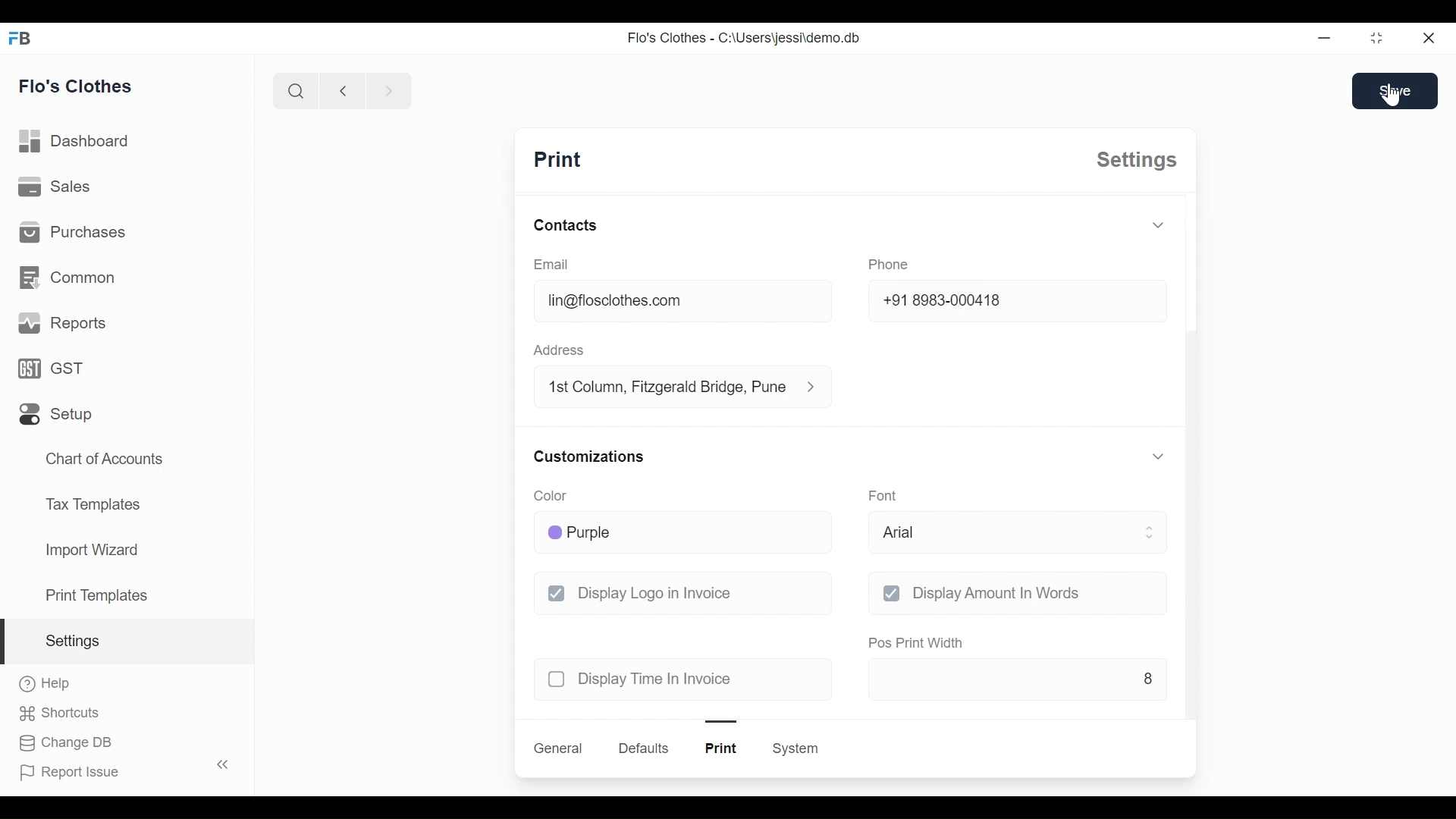 This screenshot has height=819, width=1456. I want to click on 1st column, fitzgerald bridge, Pune, so click(666, 385).